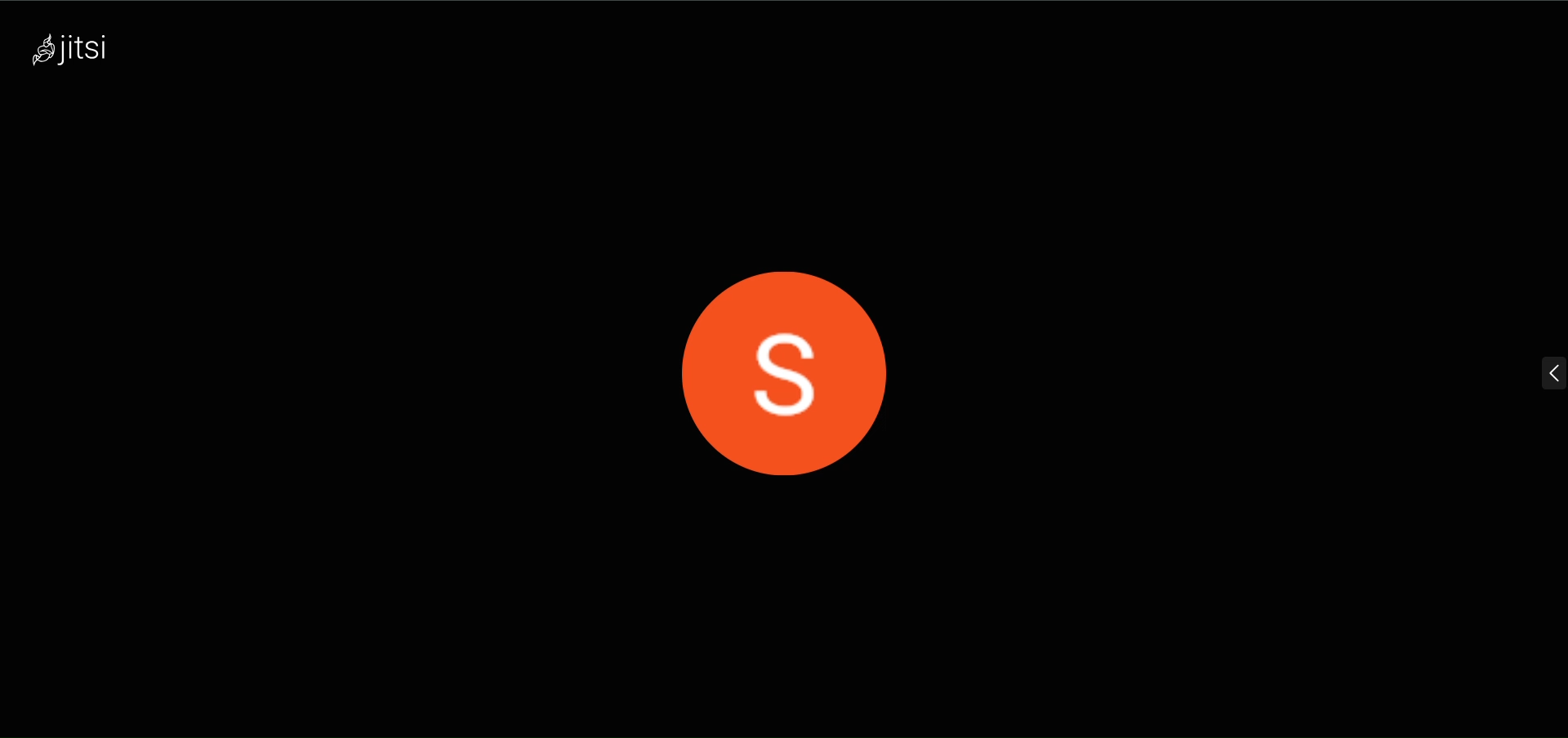 The width and height of the screenshot is (1568, 738). What do you see at coordinates (782, 360) in the screenshot?
I see `display picture` at bounding box center [782, 360].